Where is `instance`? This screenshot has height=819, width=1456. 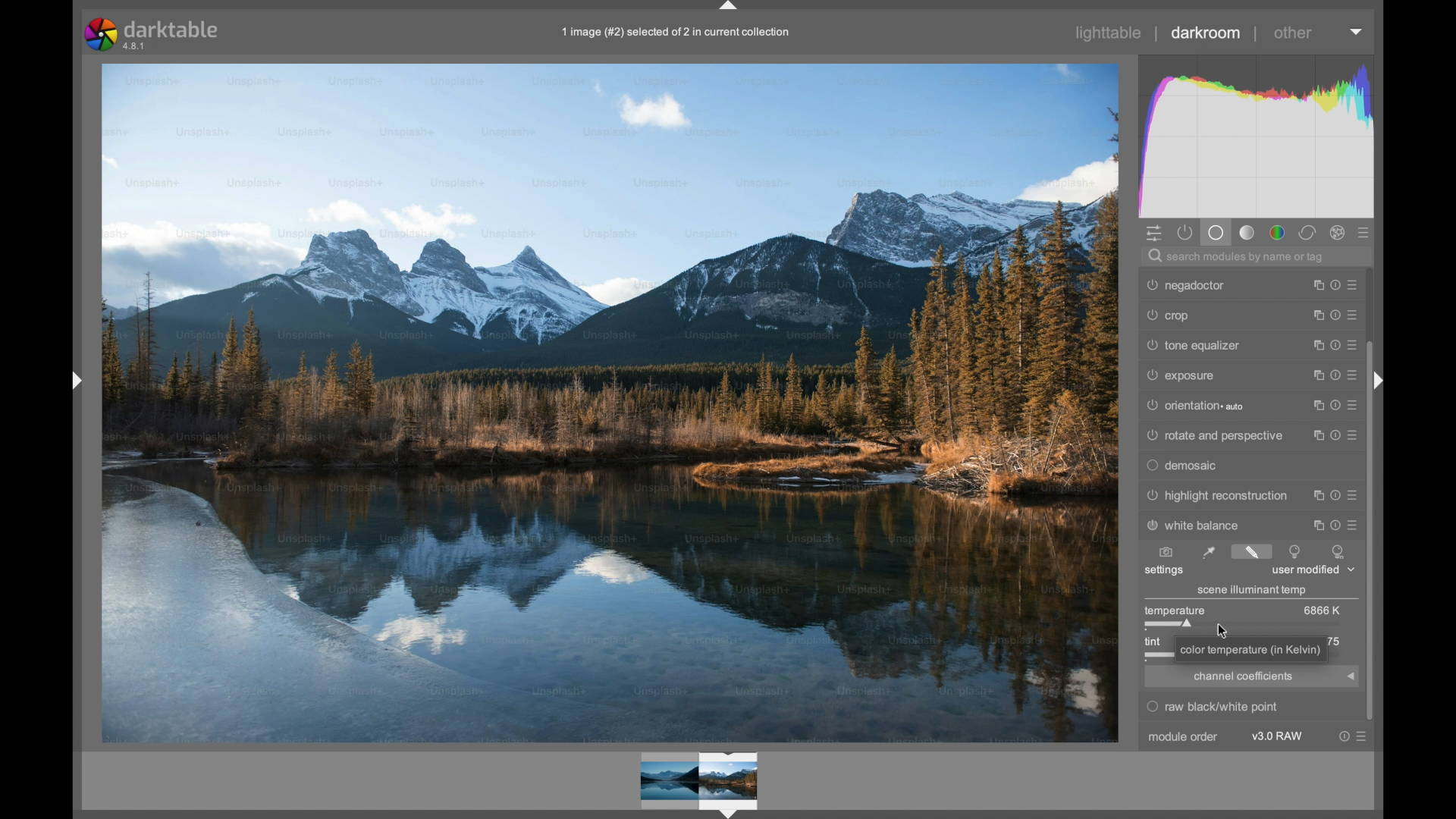
instance is located at coordinates (1316, 282).